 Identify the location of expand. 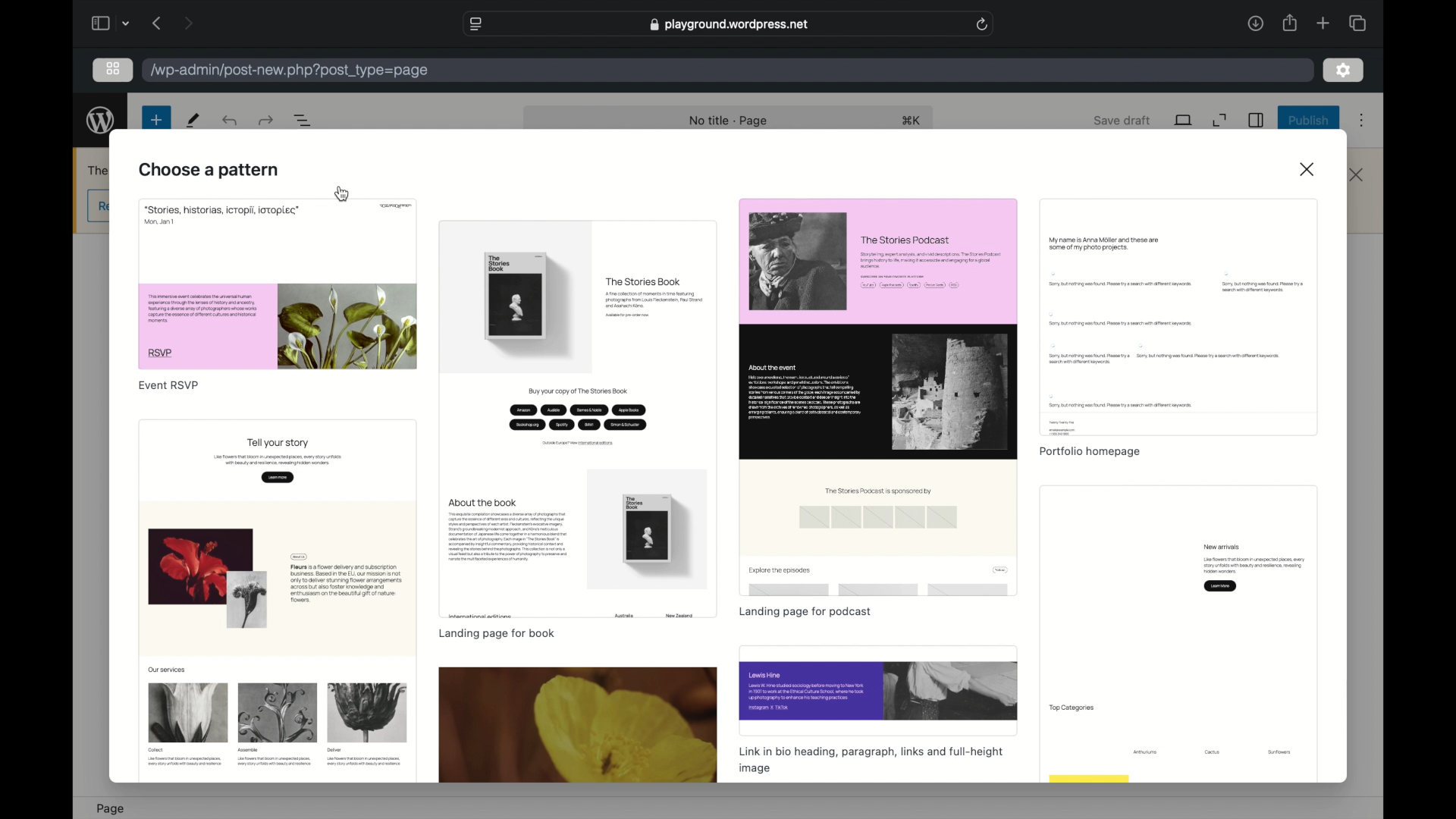
(1221, 121).